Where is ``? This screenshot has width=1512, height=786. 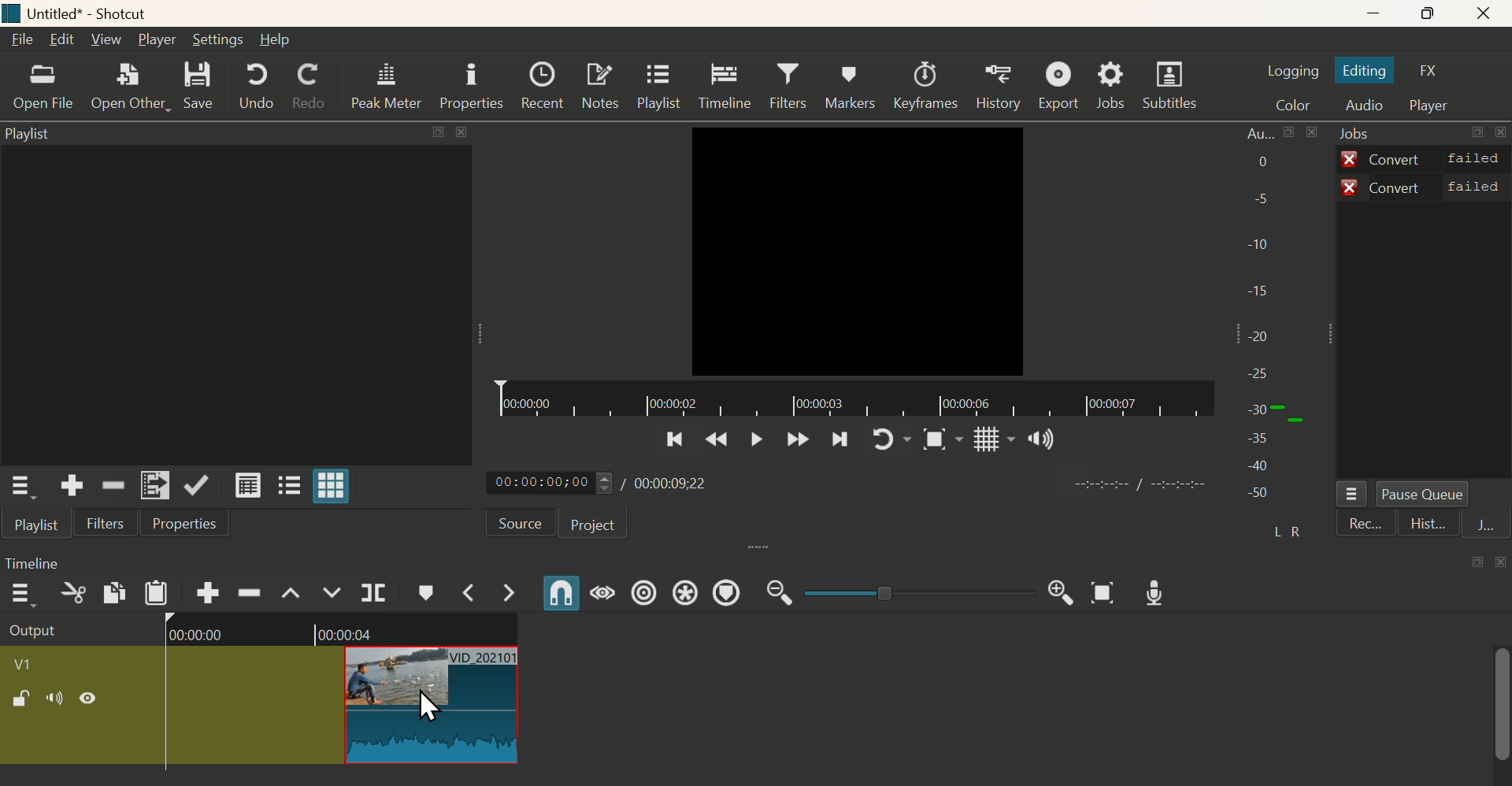
 is located at coordinates (1058, 594).